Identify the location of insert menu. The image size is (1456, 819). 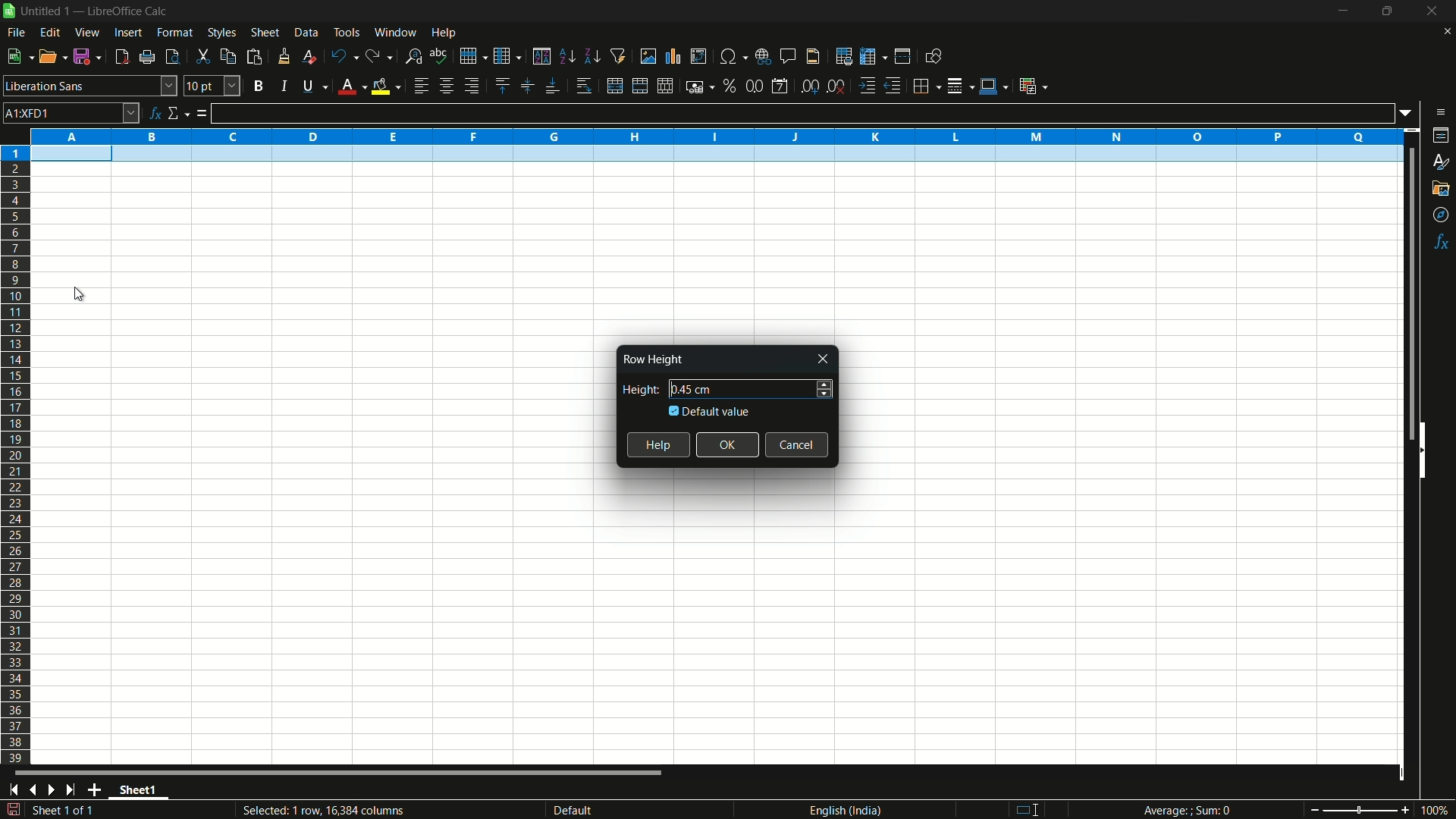
(127, 33).